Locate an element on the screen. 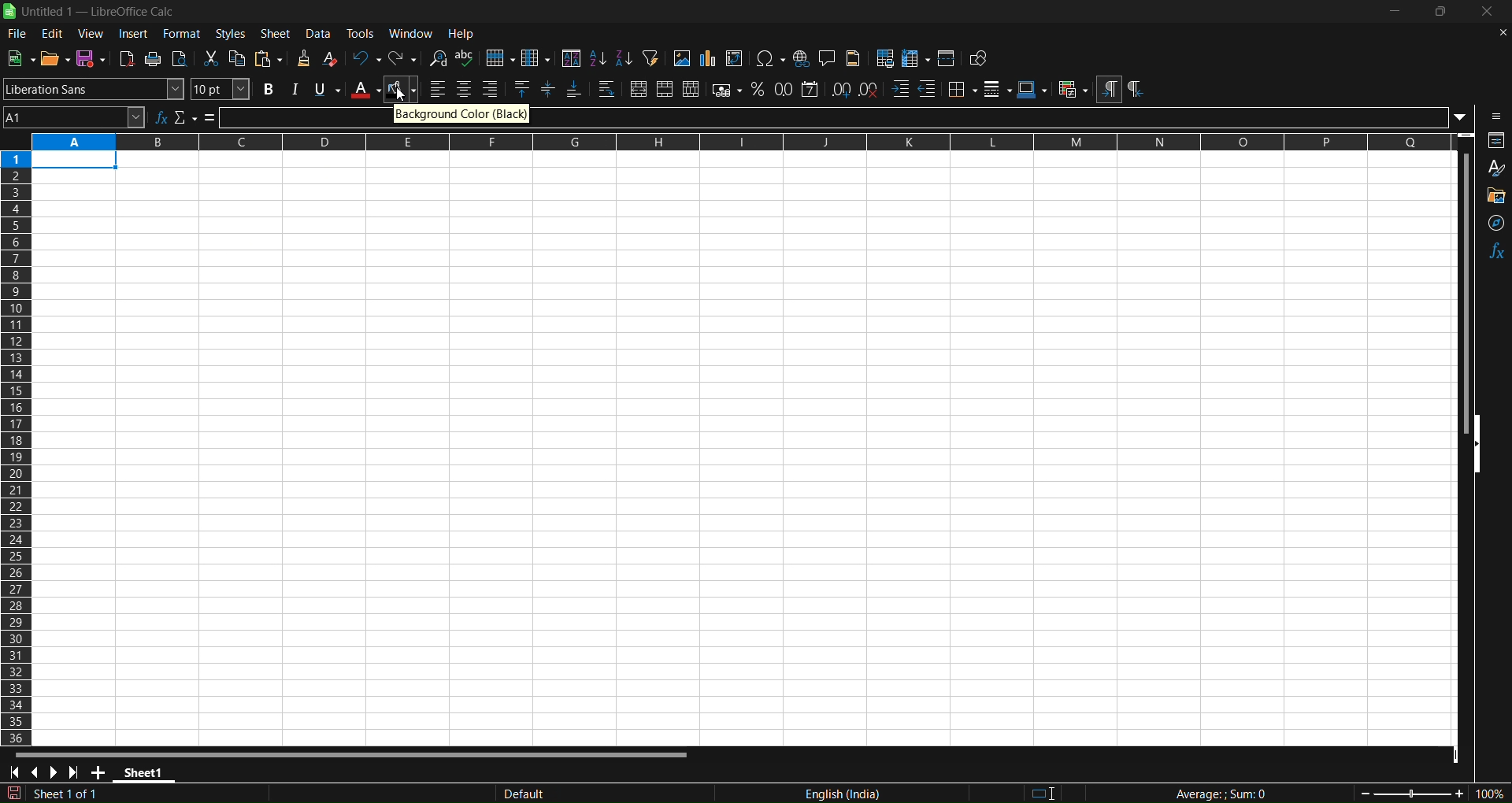  formula is located at coordinates (1227, 793).